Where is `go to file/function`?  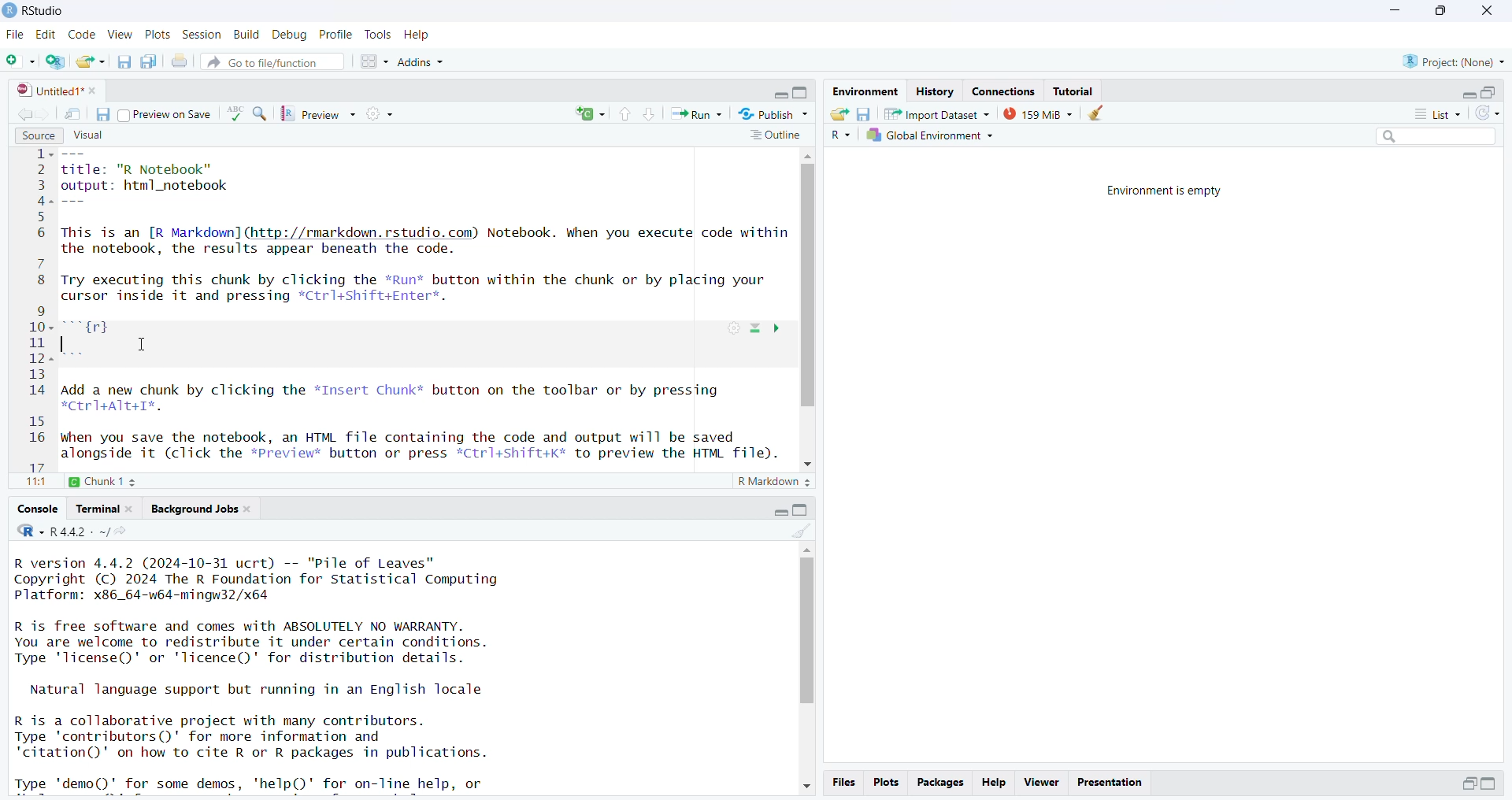 go to file/function is located at coordinates (272, 61).